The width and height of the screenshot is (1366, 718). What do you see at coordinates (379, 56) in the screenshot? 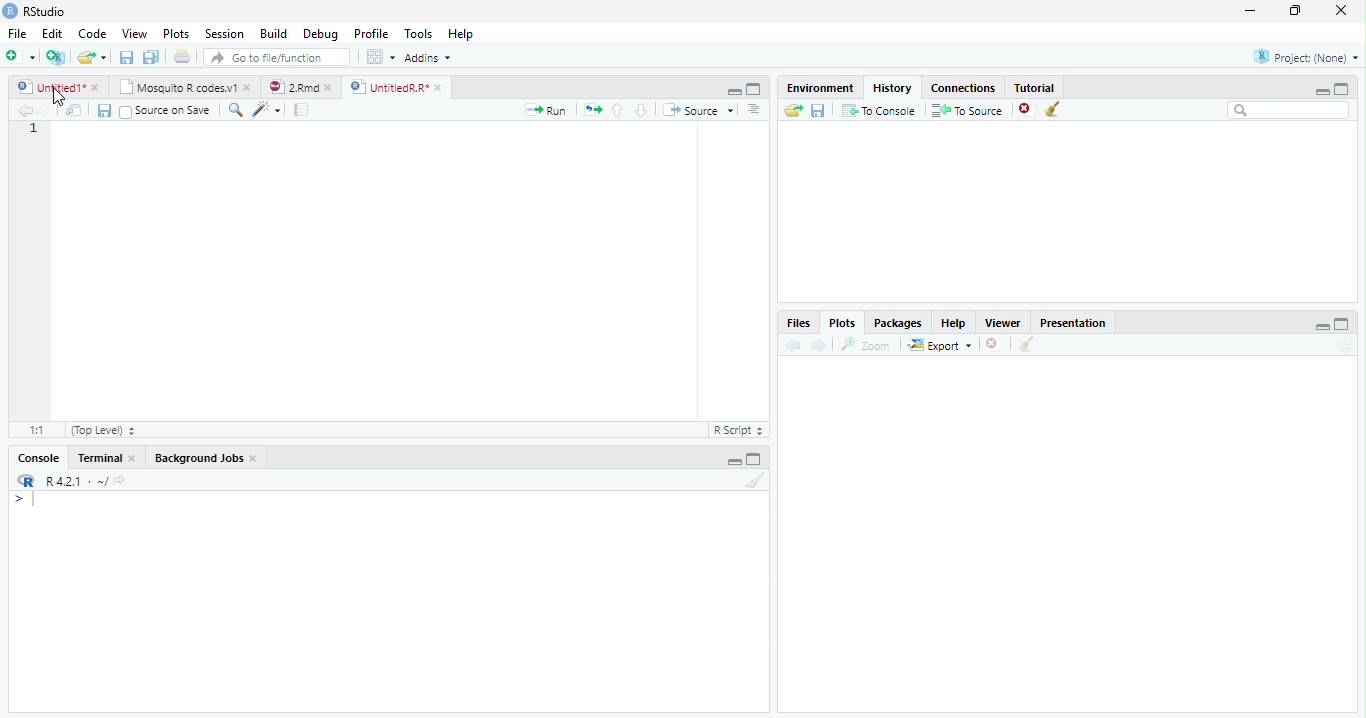
I see `Workspace pane` at bounding box center [379, 56].